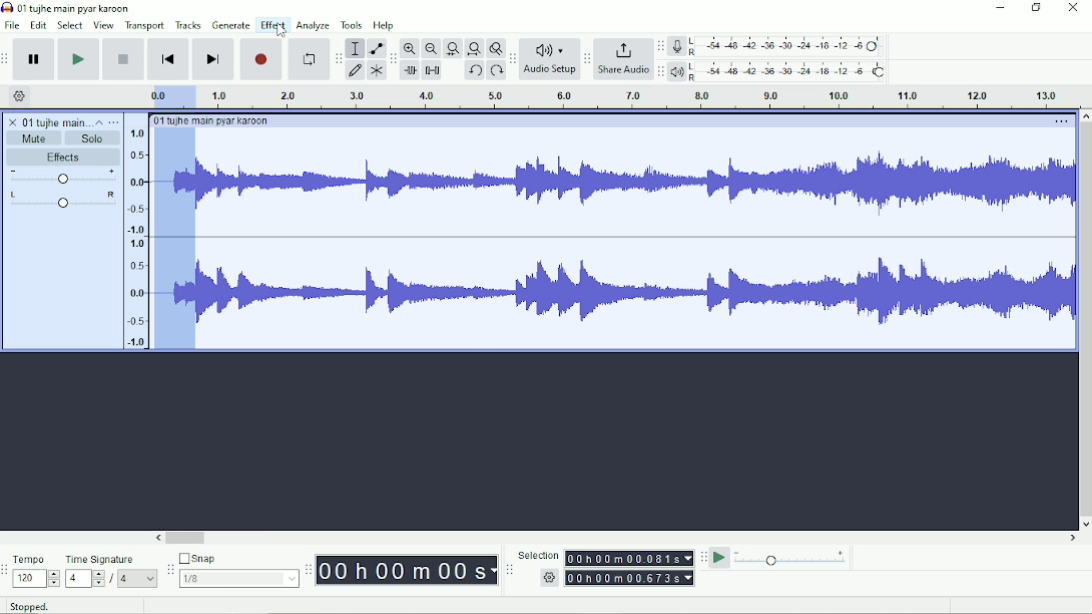 The width and height of the screenshot is (1092, 614). What do you see at coordinates (7, 571) in the screenshot?
I see `Audacity time signature toolbar` at bounding box center [7, 571].